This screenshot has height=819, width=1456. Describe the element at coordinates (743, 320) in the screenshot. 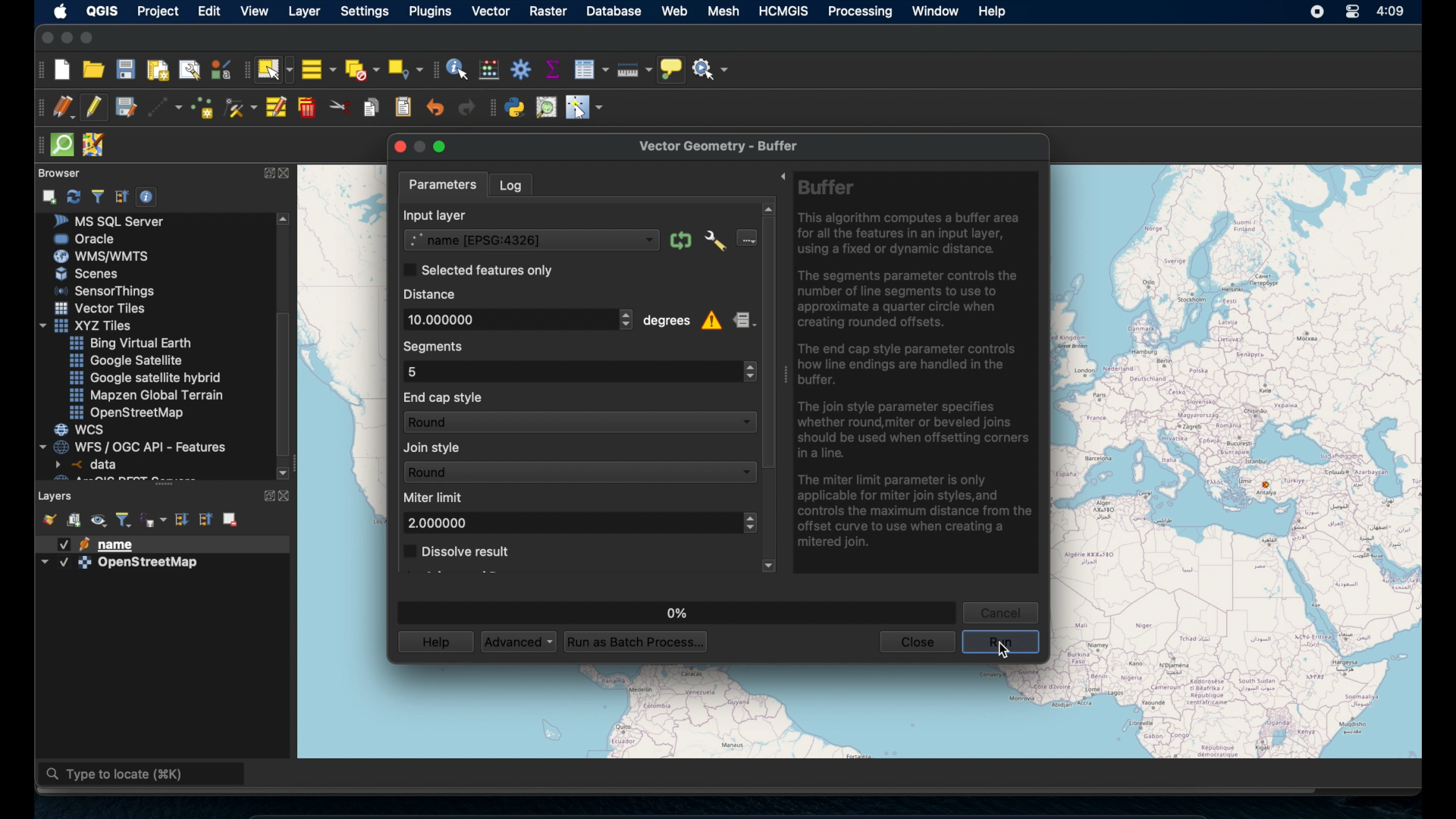

I see `data defined override` at that location.